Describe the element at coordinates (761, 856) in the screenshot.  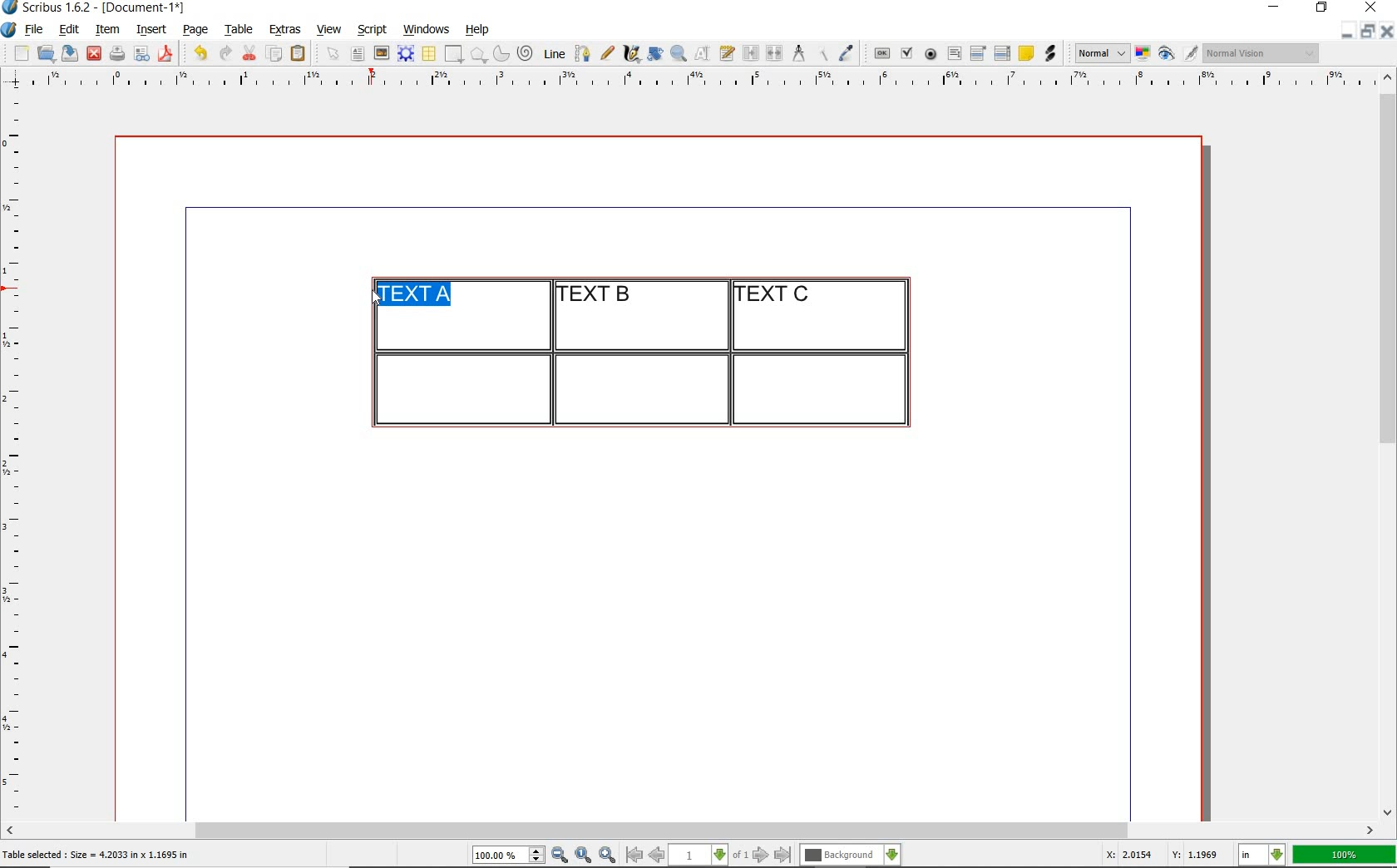
I see `go to next page` at that location.